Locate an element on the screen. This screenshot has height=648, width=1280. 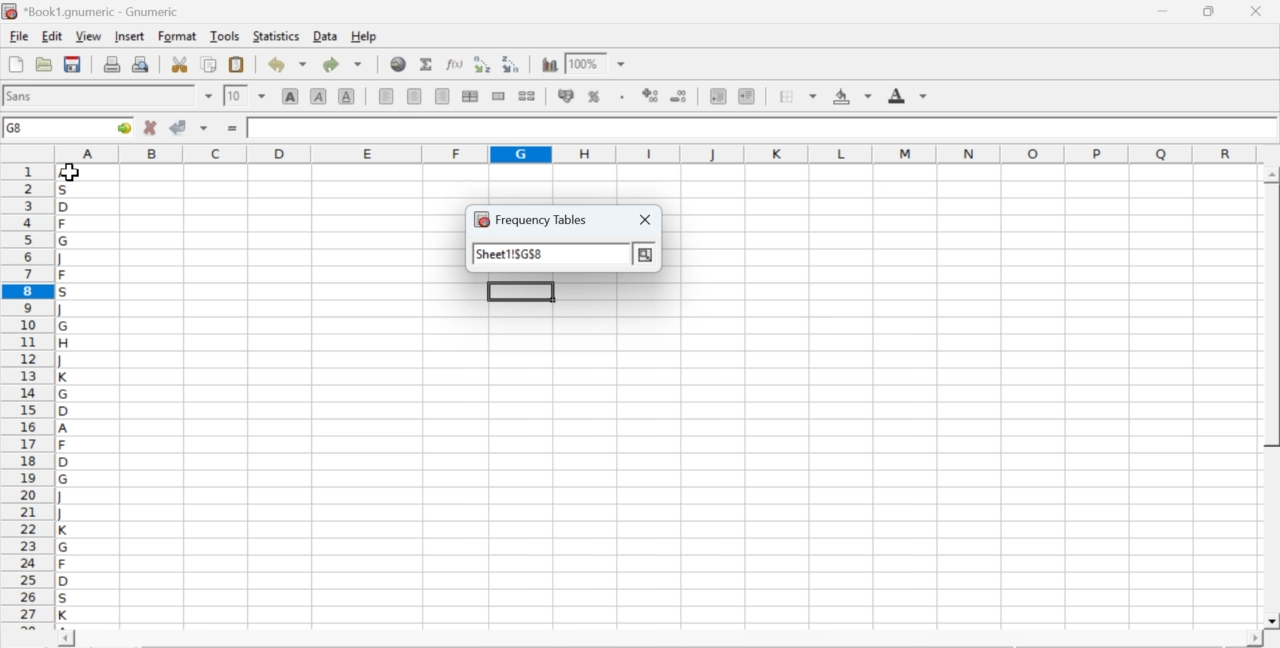
format selection as accounting is located at coordinates (566, 95).